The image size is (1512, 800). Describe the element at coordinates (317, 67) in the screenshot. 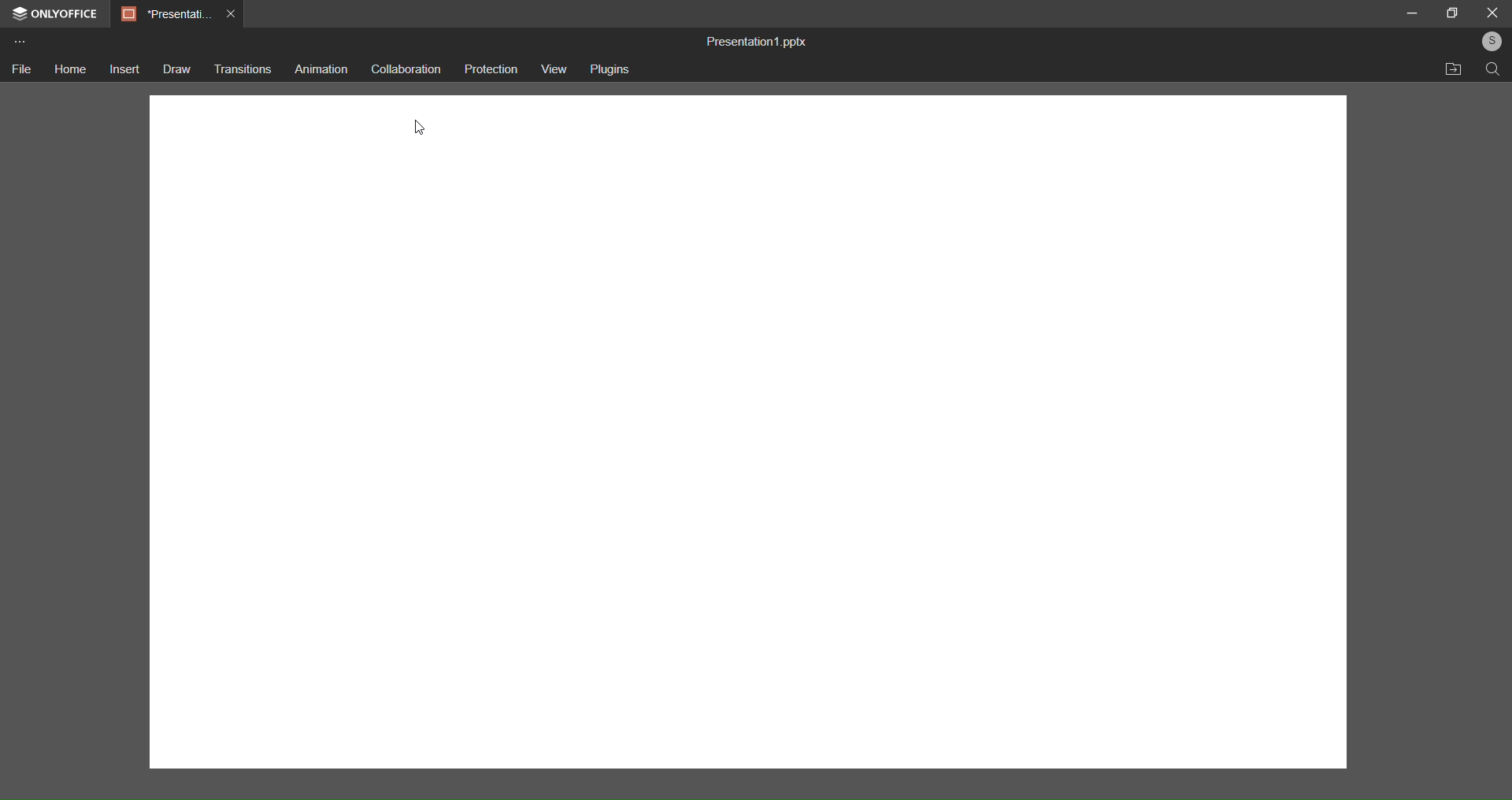

I see `animation` at that location.